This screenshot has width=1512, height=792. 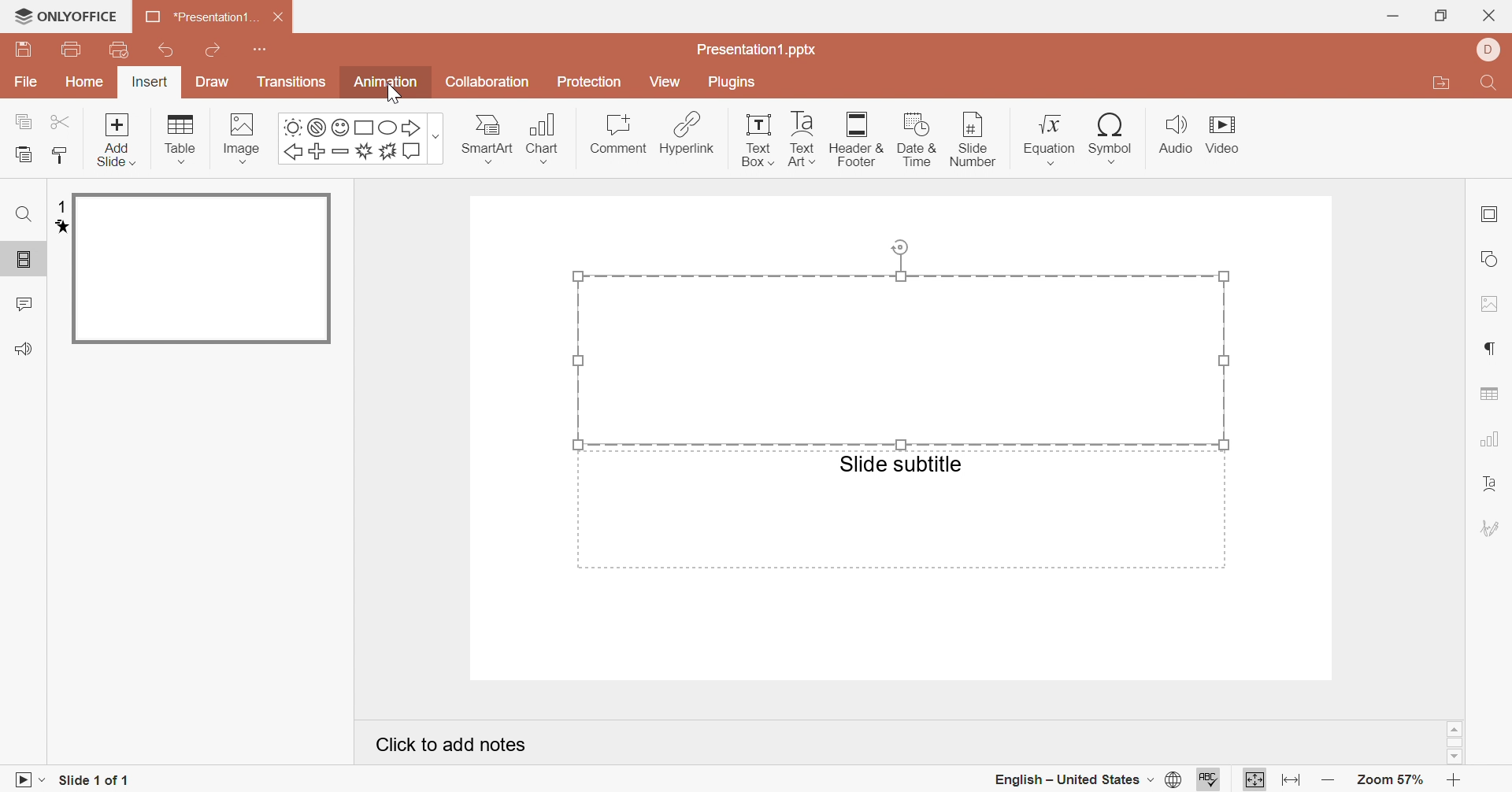 I want to click on Cursor, so click(x=395, y=94).